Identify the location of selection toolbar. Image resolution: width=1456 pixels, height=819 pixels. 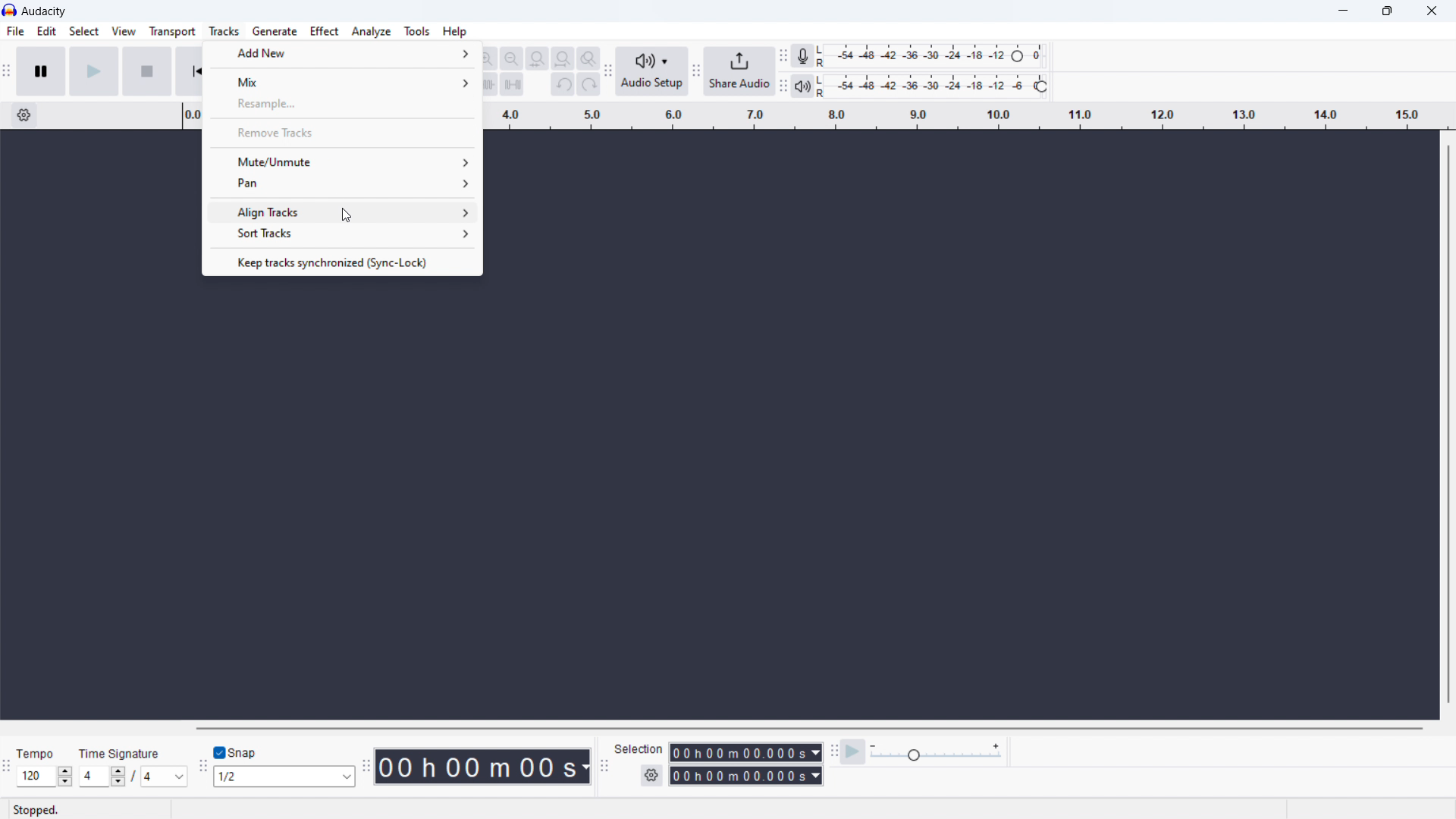
(605, 767).